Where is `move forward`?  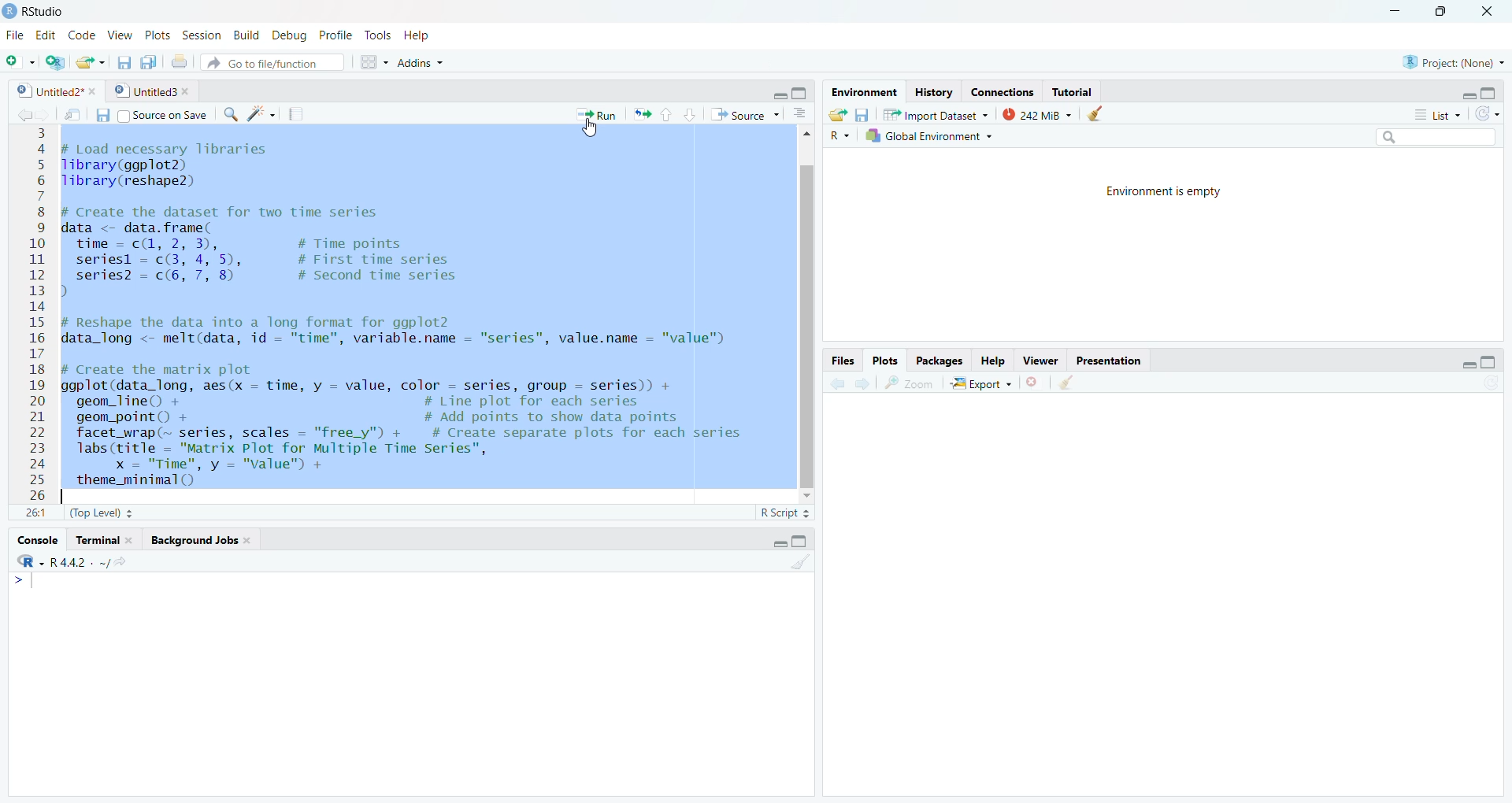 move forward is located at coordinates (45, 113).